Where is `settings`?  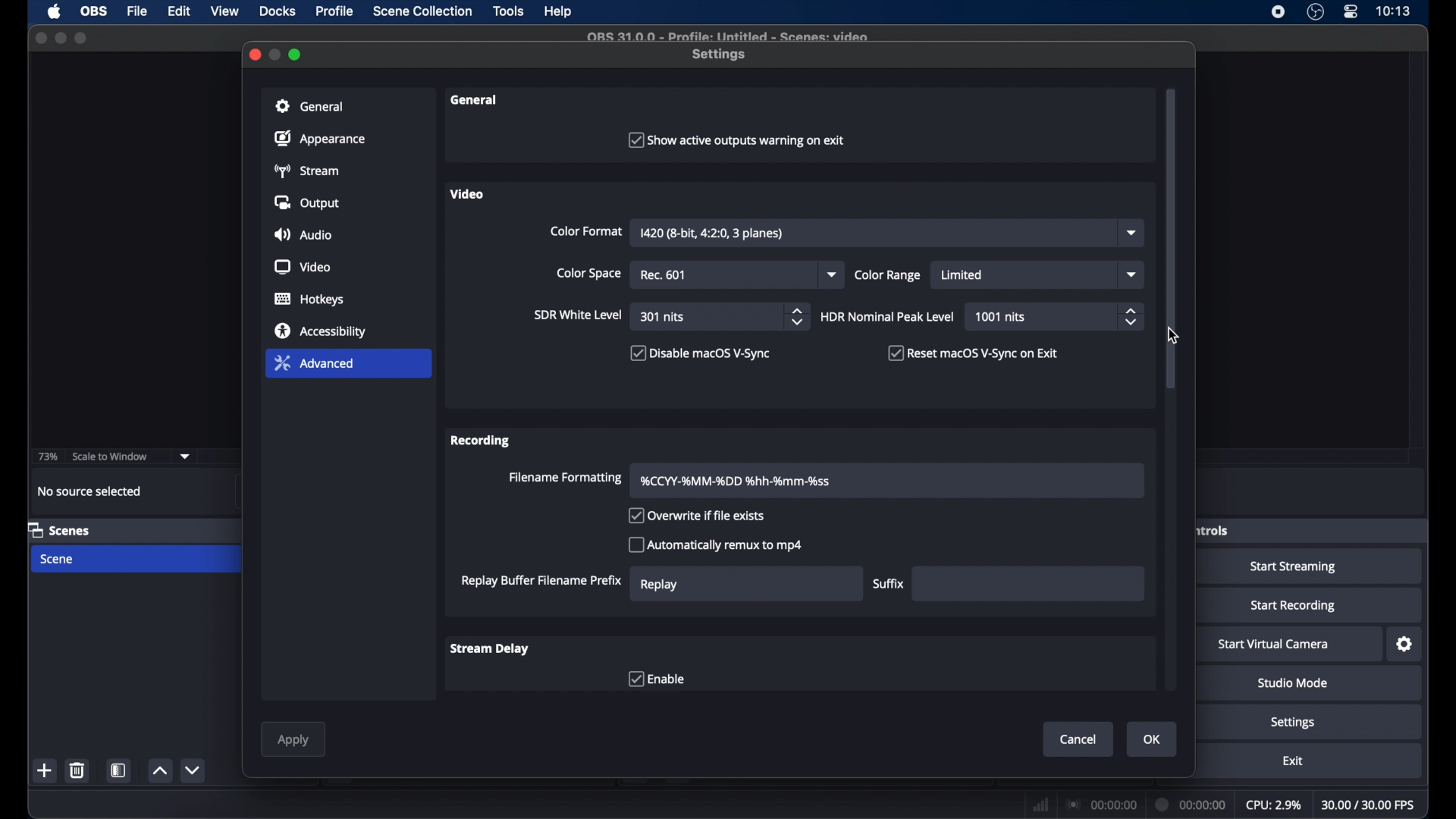 settings is located at coordinates (720, 55).